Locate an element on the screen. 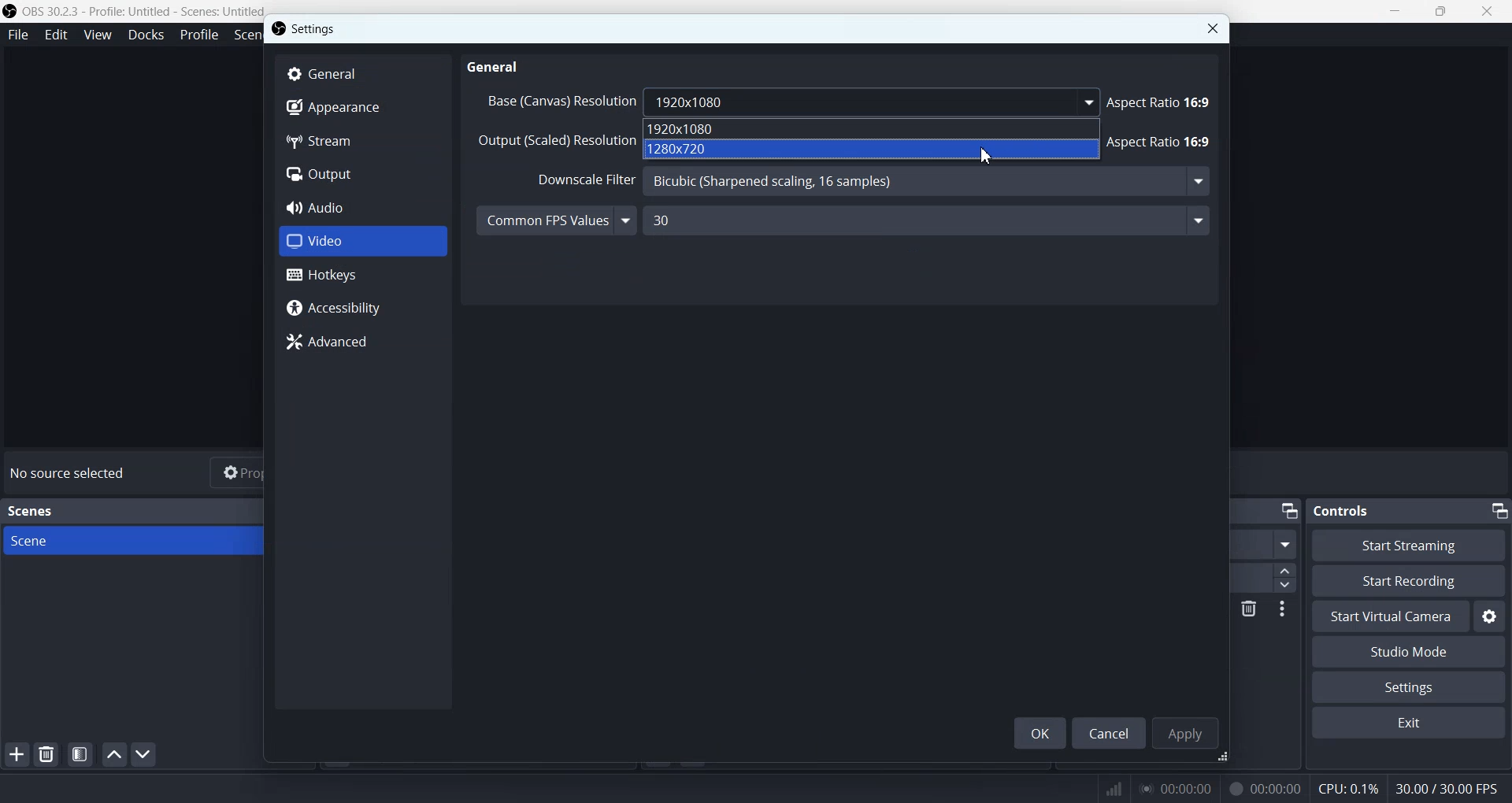 The width and height of the screenshot is (1512, 803). Hotkeys is located at coordinates (363, 276).